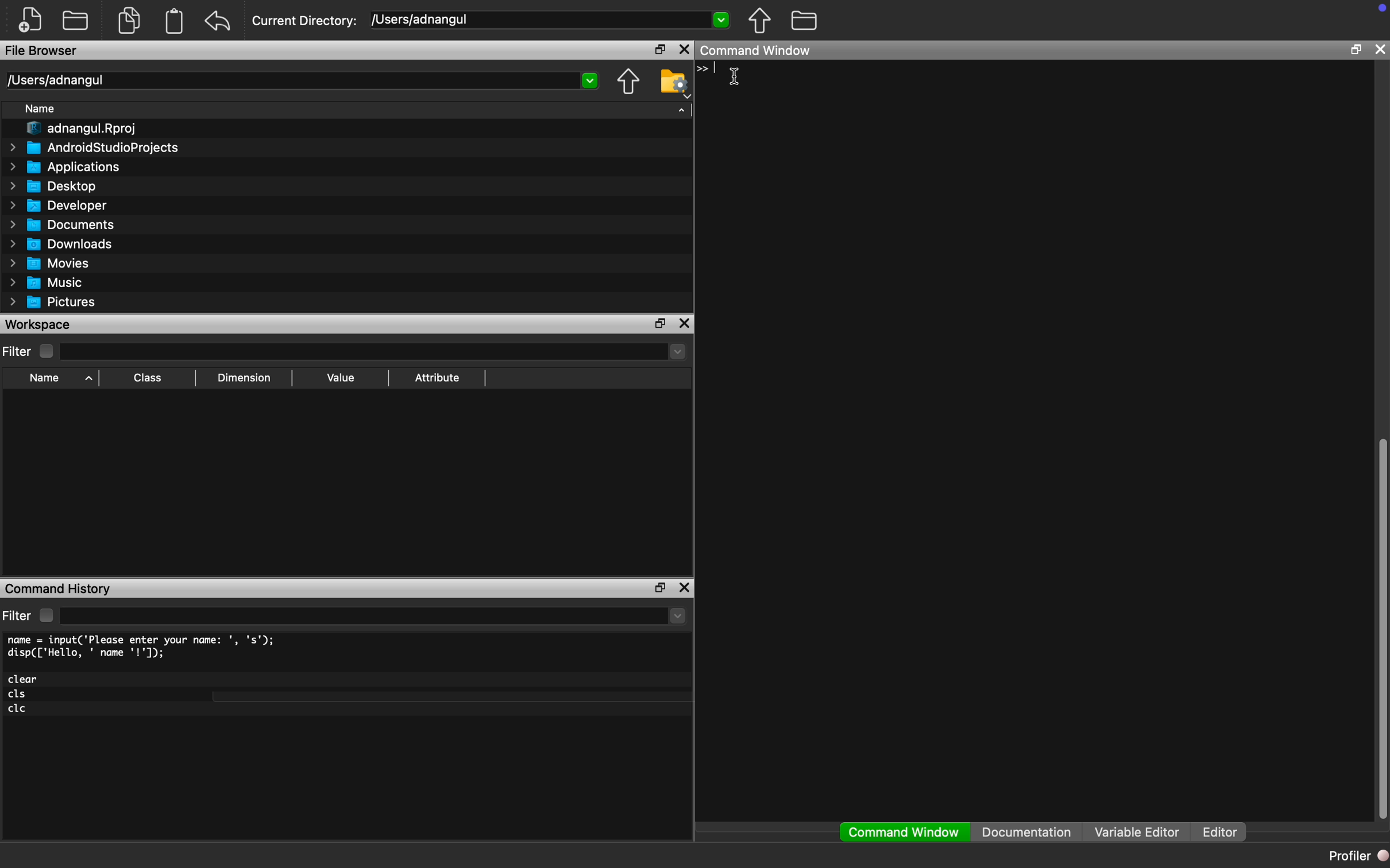 The height and width of the screenshot is (868, 1390). What do you see at coordinates (18, 695) in the screenshot?
I see `cls` at bounding box center [18, 695].